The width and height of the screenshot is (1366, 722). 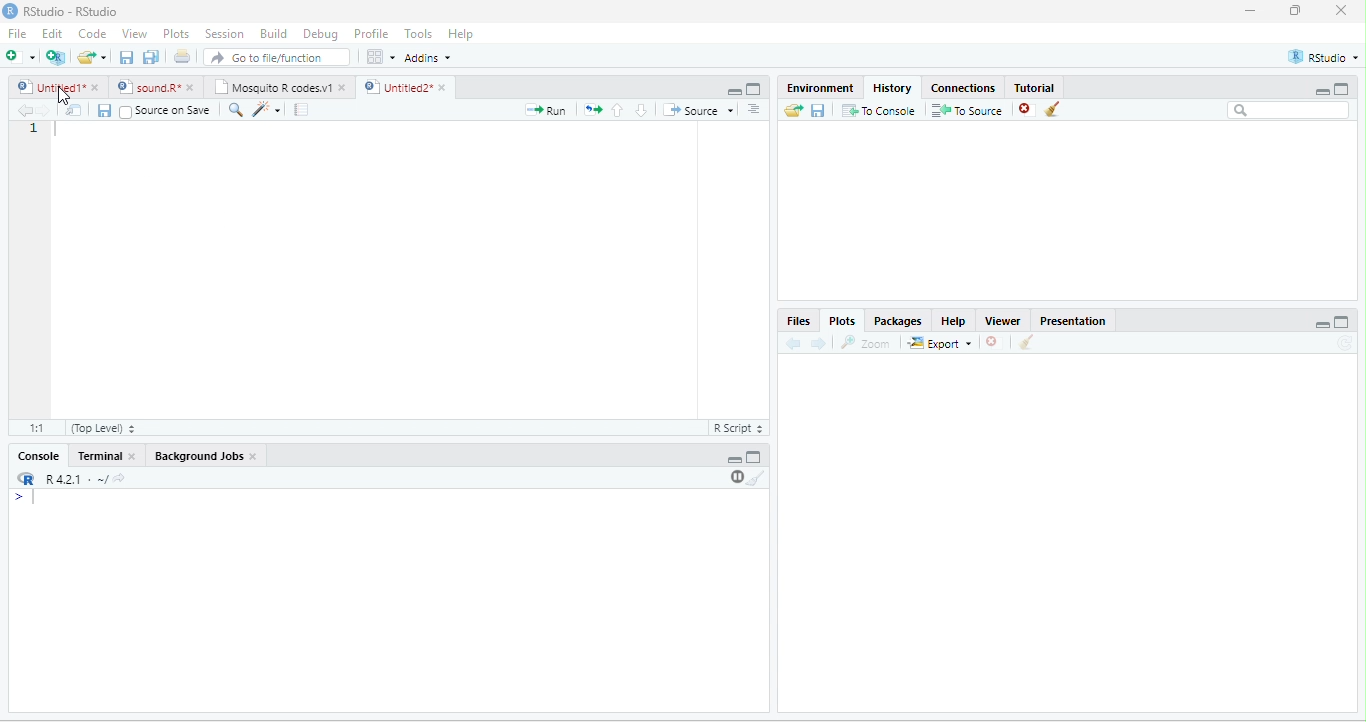 I want to click on save all, so click(x=150, y=57).